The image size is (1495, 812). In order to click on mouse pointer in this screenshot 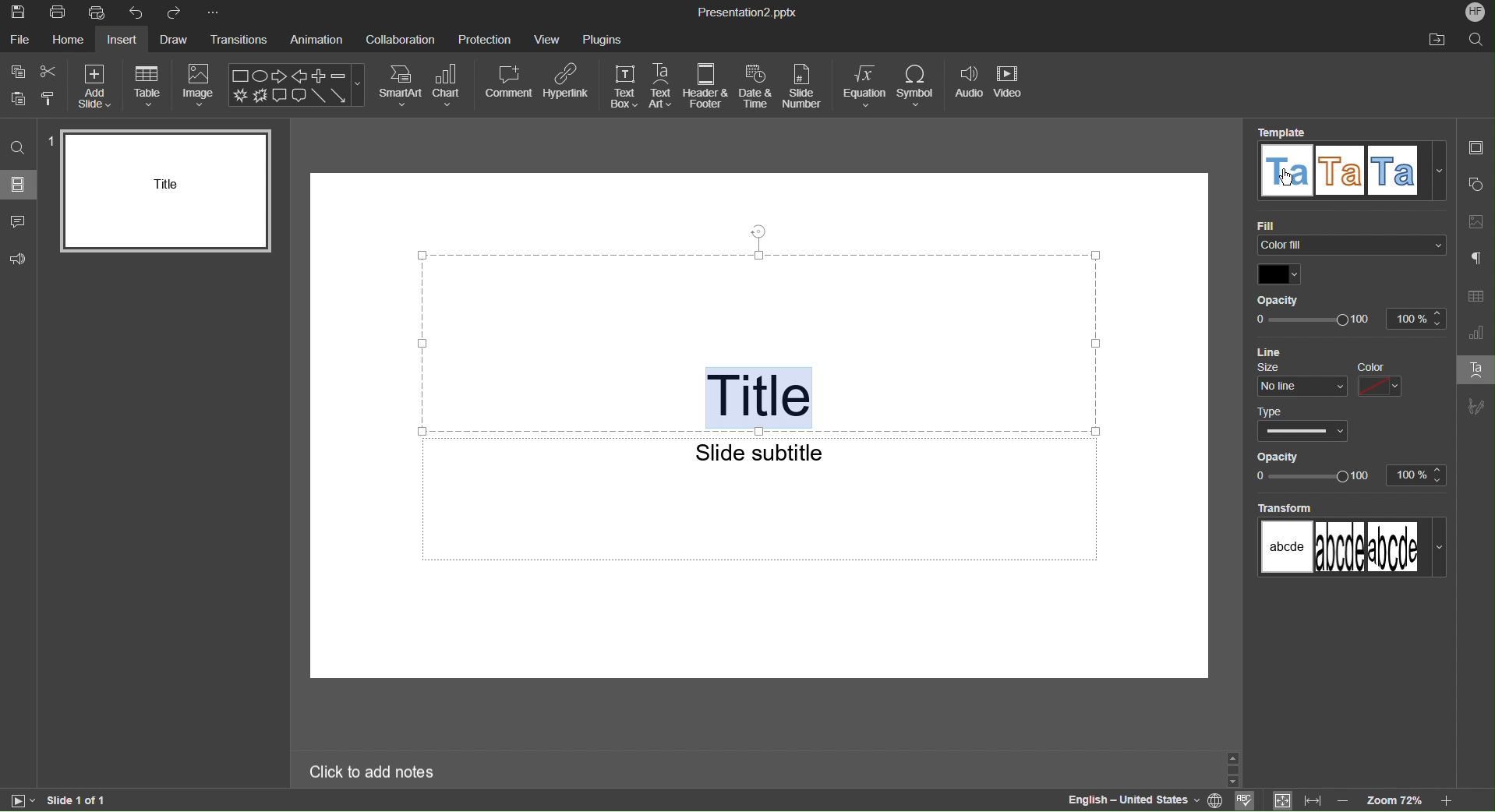, I will do `click(1288, 182)`.